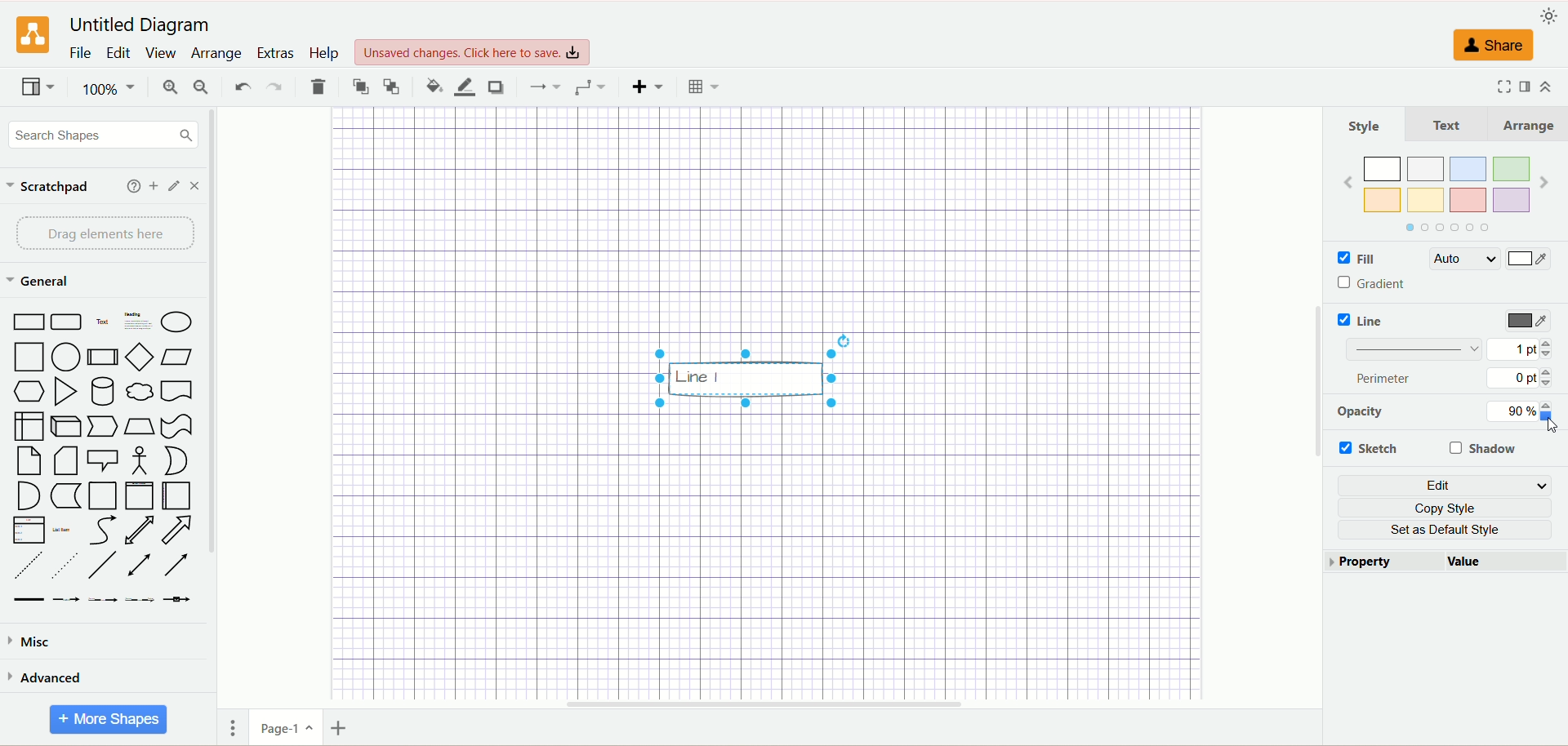 The width and height of the screenshot is (1568, 746). What do you see at coordinates (1445, 507) in the screenshot?
I see `copy style` at bounding box center [1445, 507].